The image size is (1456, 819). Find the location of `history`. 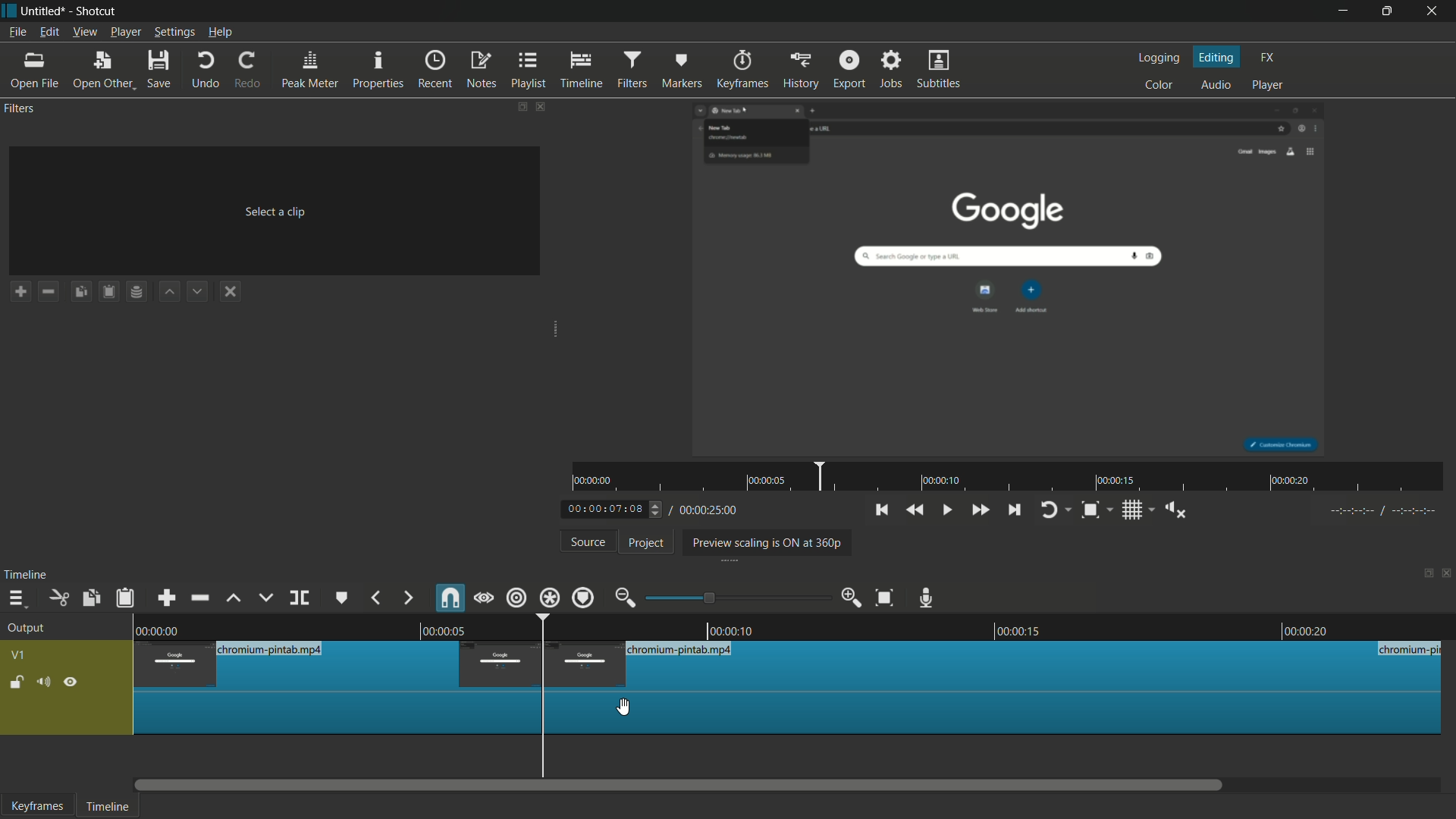

history is located at coordinates (800, 69).